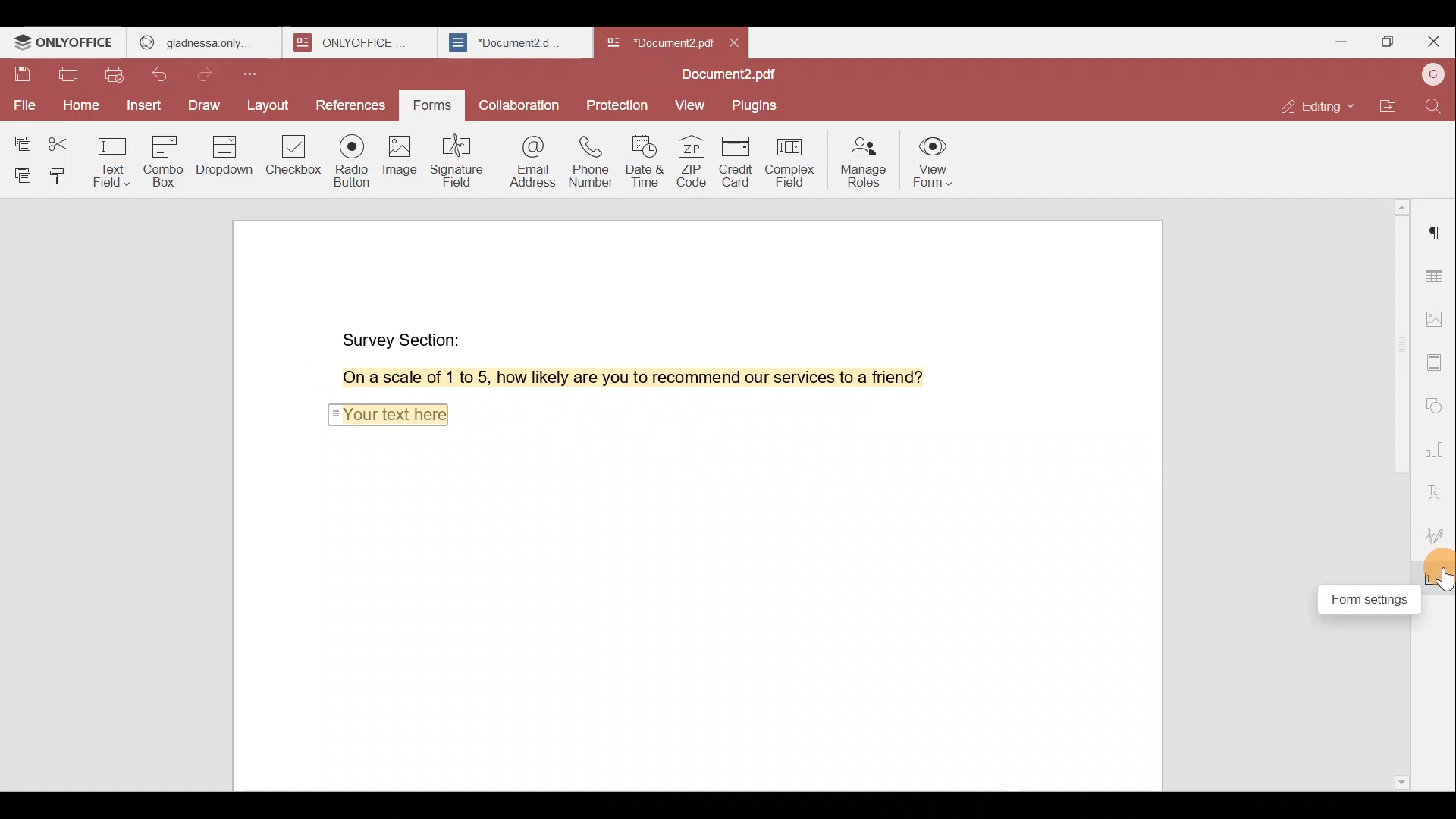  I want to click on Date & time, so click(642, 157).